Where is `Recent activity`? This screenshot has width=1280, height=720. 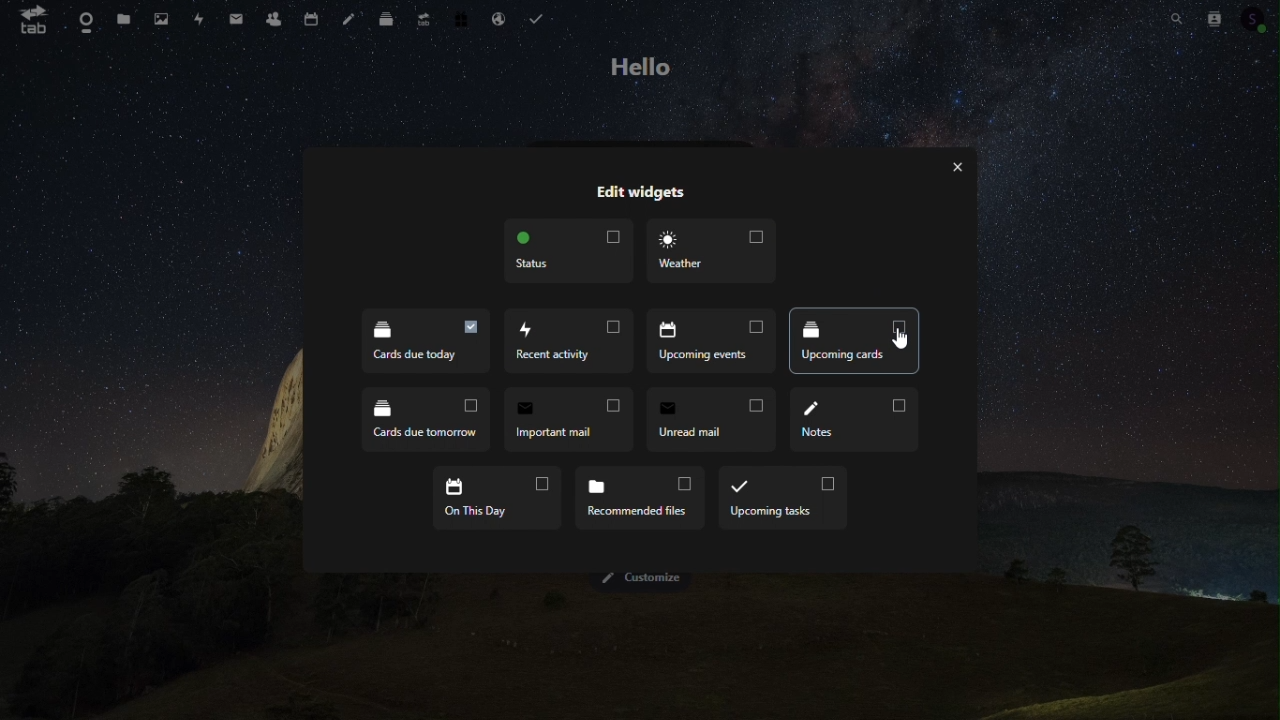 Recent activity is located at coordinates (569, 340).